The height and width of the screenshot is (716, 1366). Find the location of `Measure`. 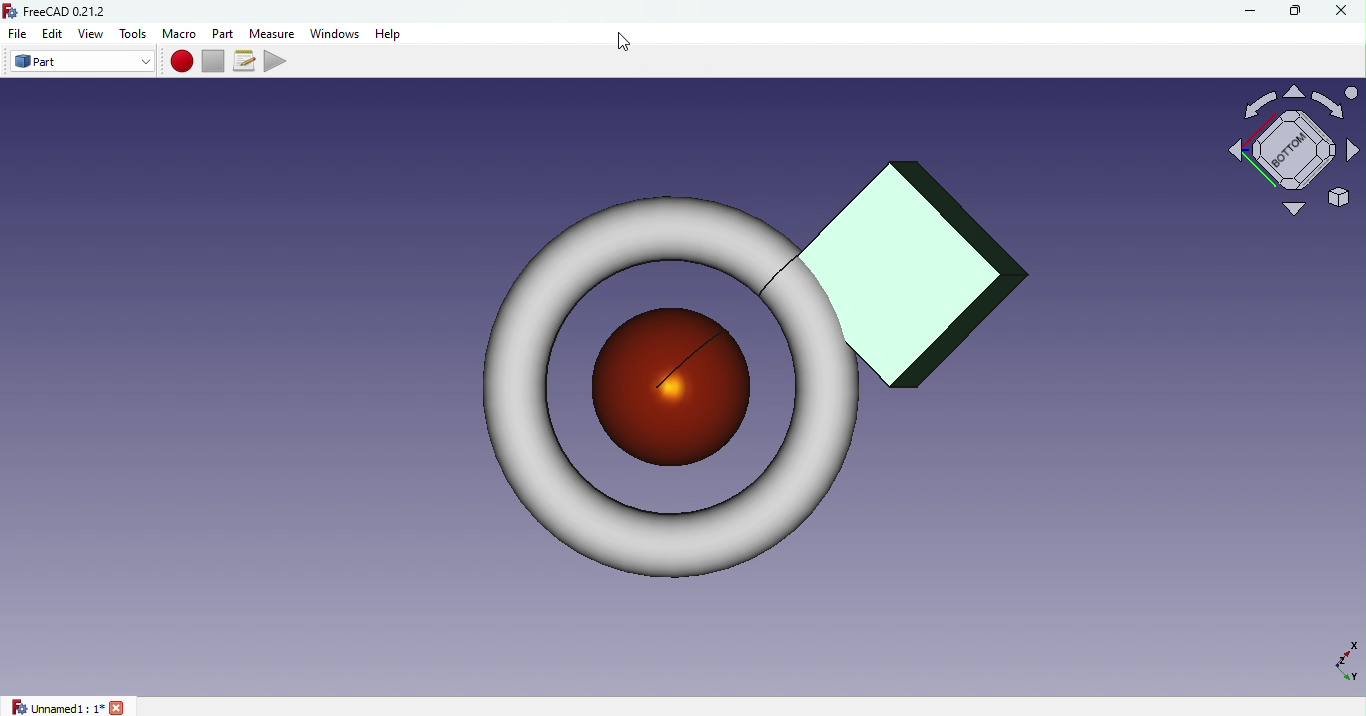

Measure is located at coordinates (271, 33).